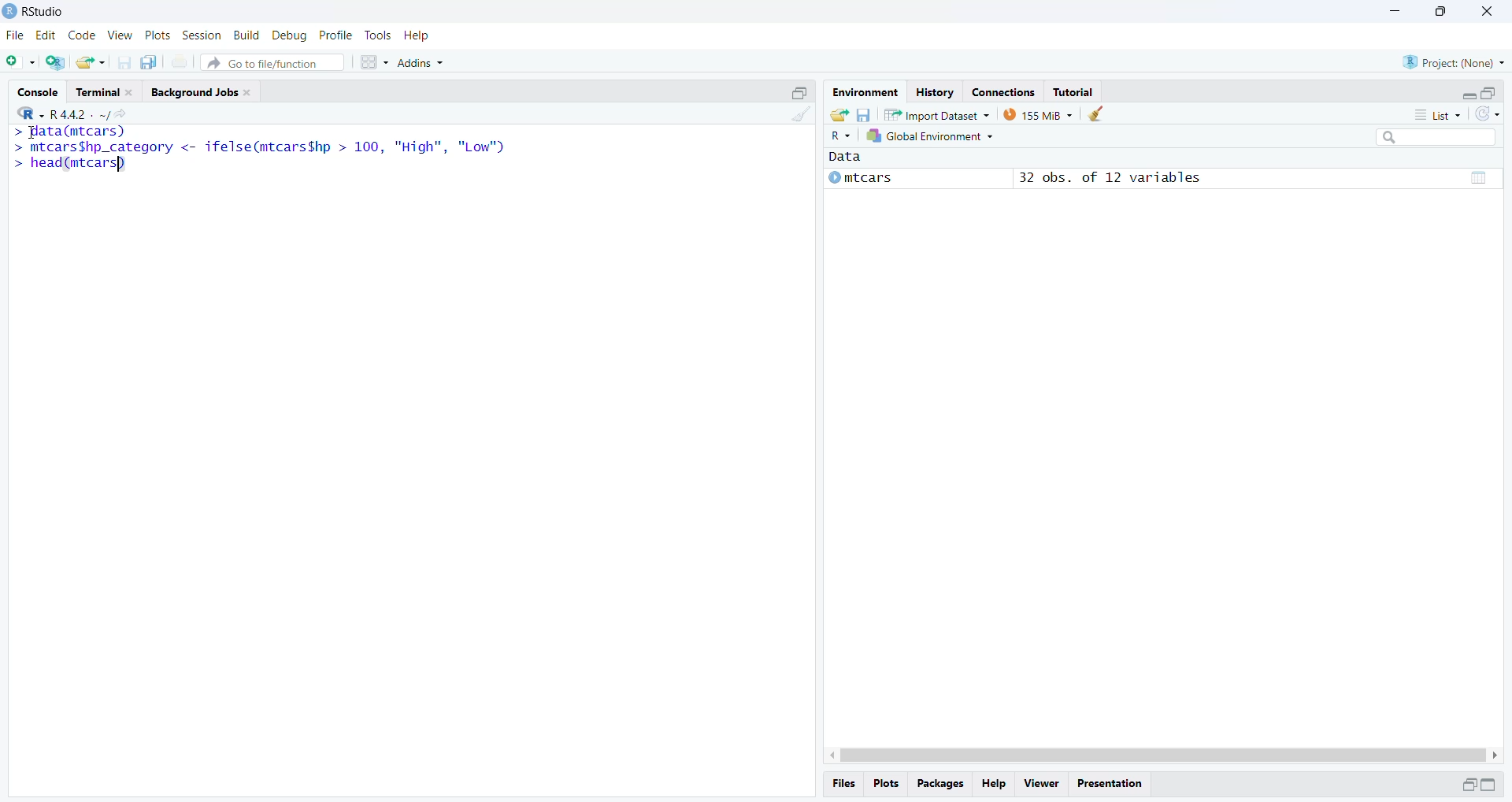  I want to click on Terminal, so click(106, 91).